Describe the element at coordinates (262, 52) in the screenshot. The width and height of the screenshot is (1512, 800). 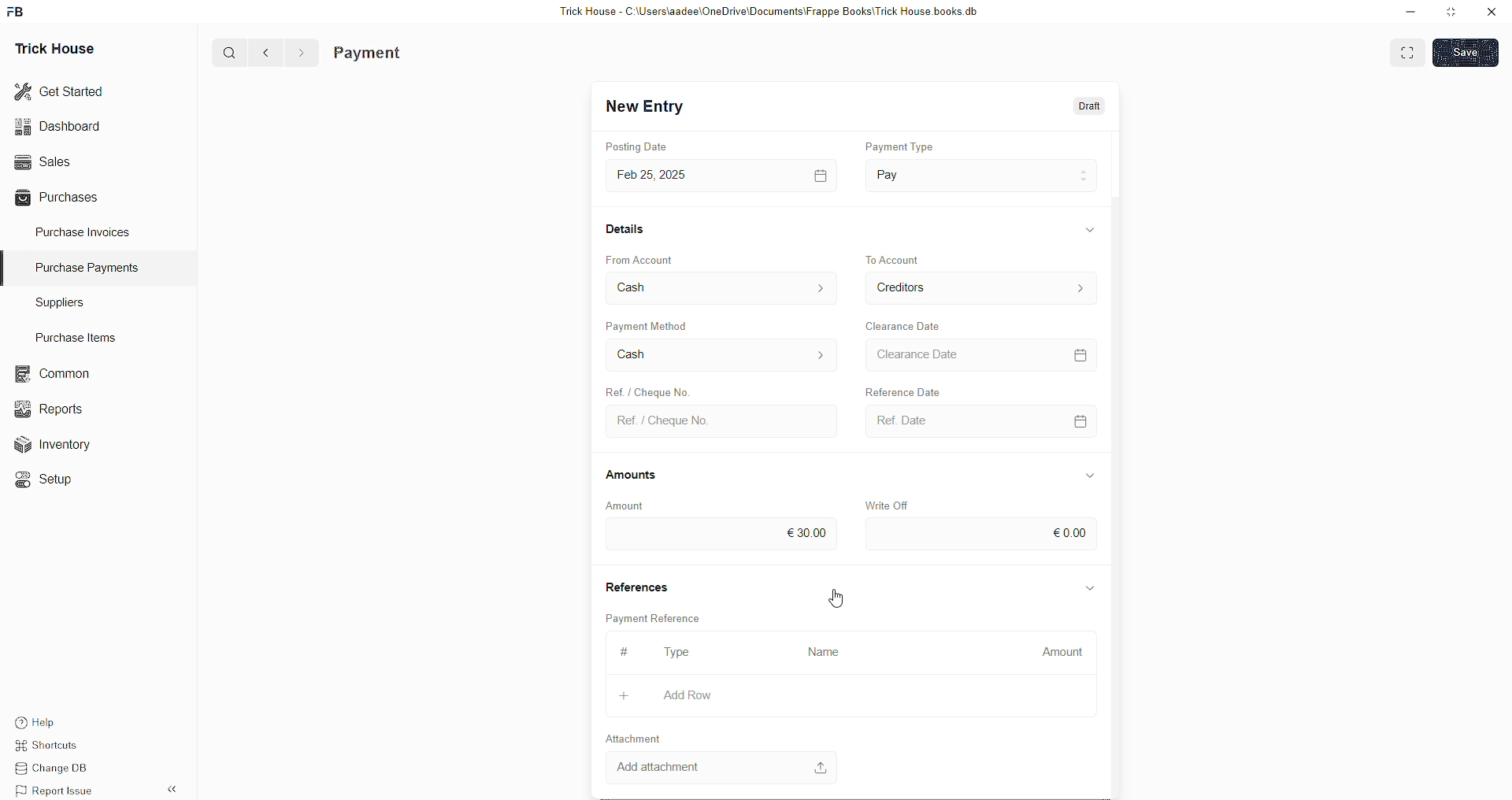
I see `<` at that location.